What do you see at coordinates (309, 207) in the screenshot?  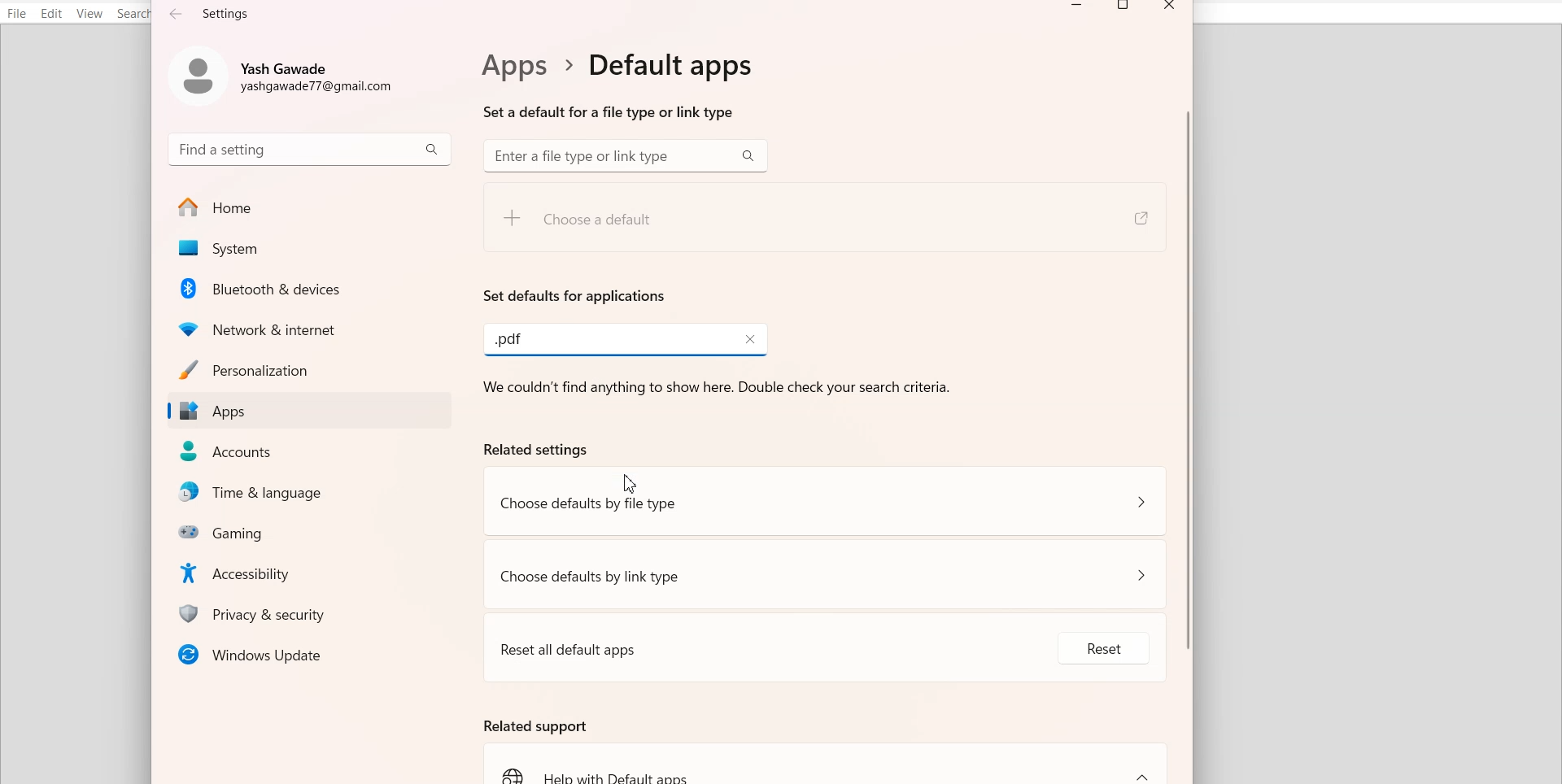 I see `Home` at bounding box center [309, 207].